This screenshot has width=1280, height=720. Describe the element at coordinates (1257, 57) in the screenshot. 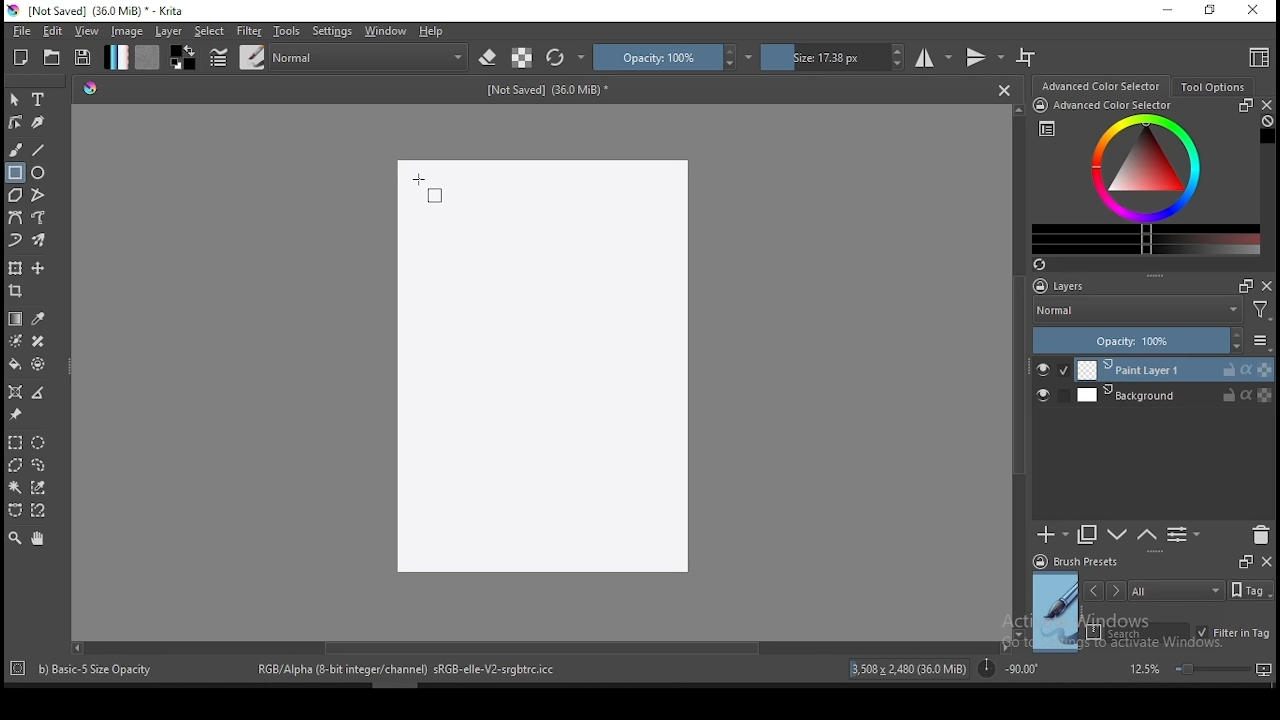

I see `choose workspace` at that location.